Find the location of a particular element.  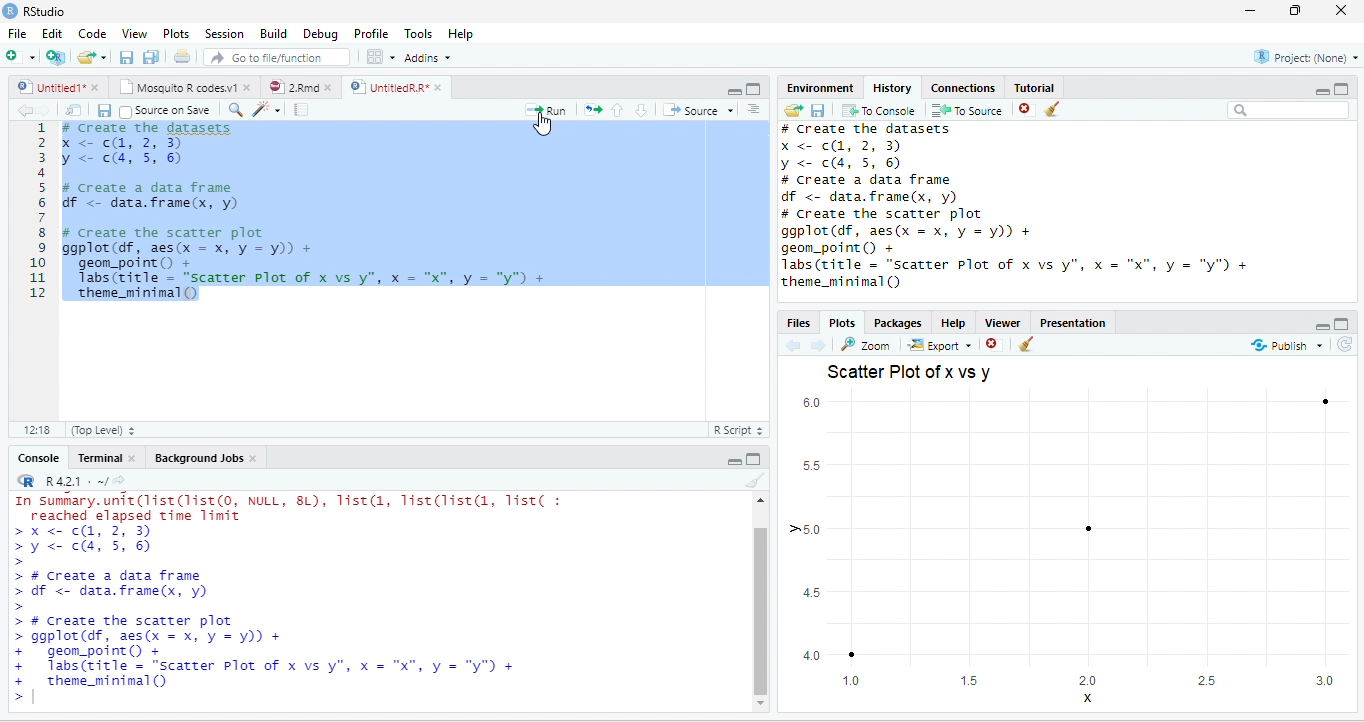

File is located at coordinates (18, 33).